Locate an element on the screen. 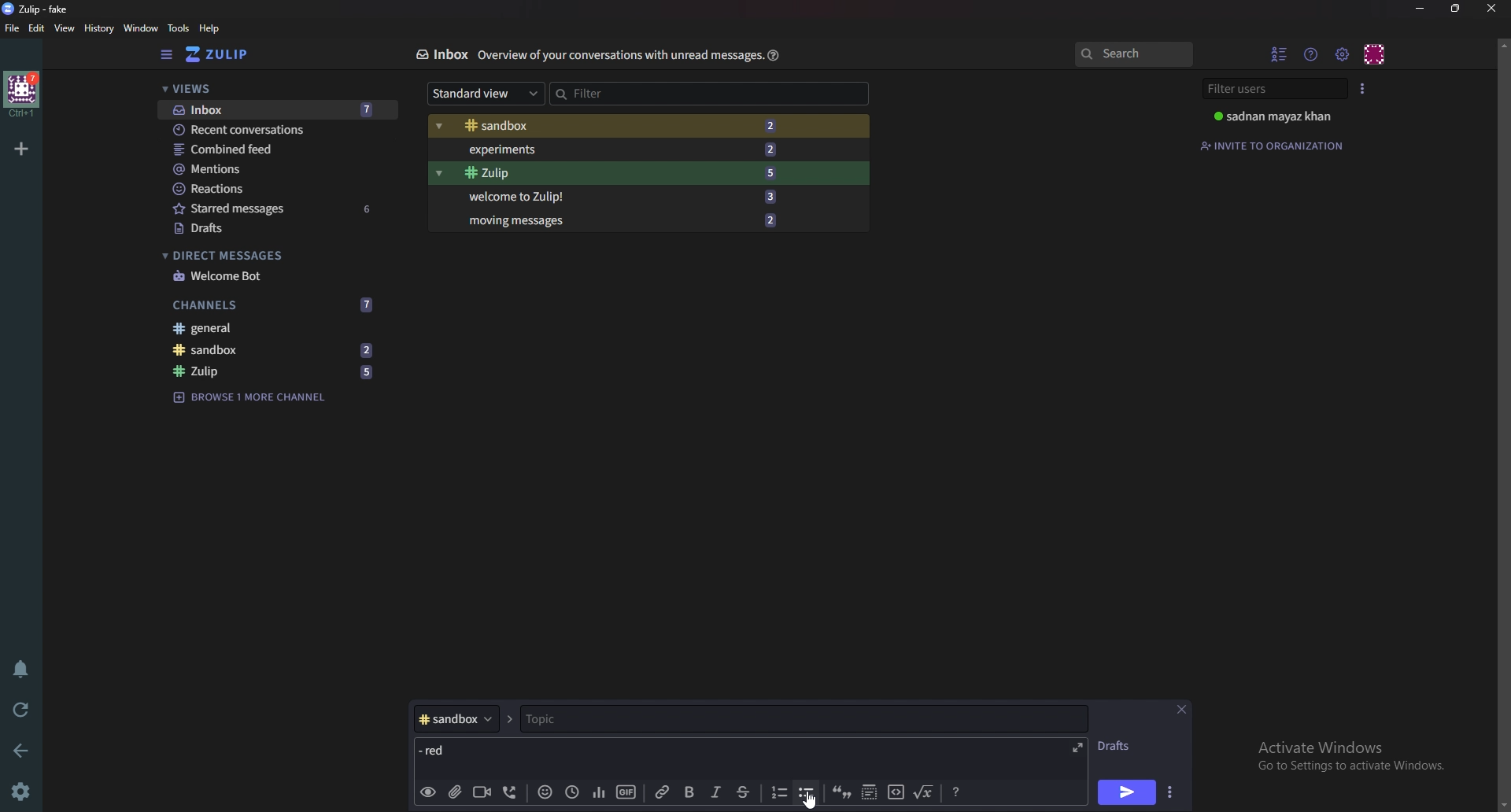 Image resolution: width=1511 pixels, height=812 pixels. combined feed is located at coordinates (277, 149).